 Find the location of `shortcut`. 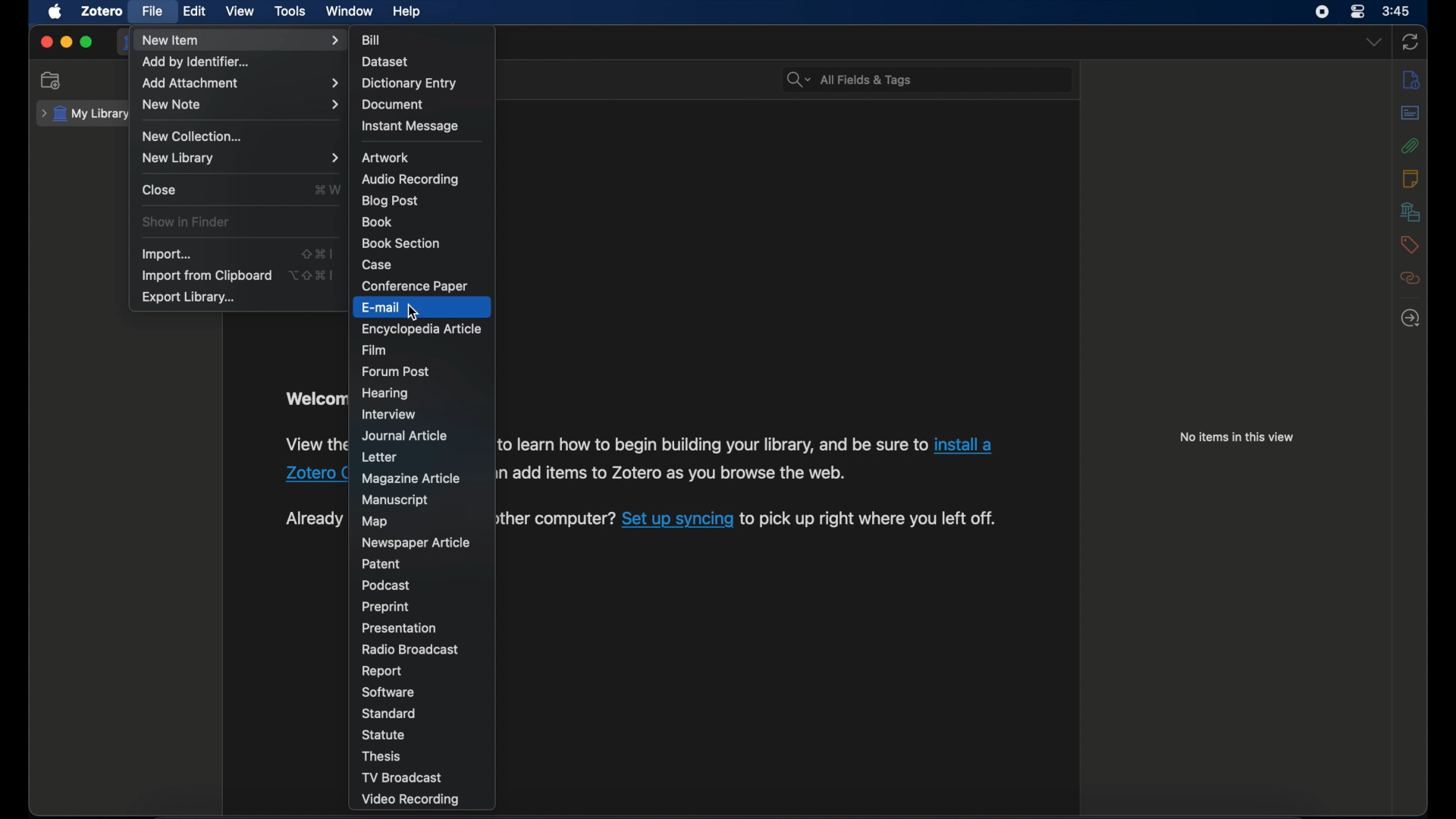

shortcut is located at coordinates (325, 190).